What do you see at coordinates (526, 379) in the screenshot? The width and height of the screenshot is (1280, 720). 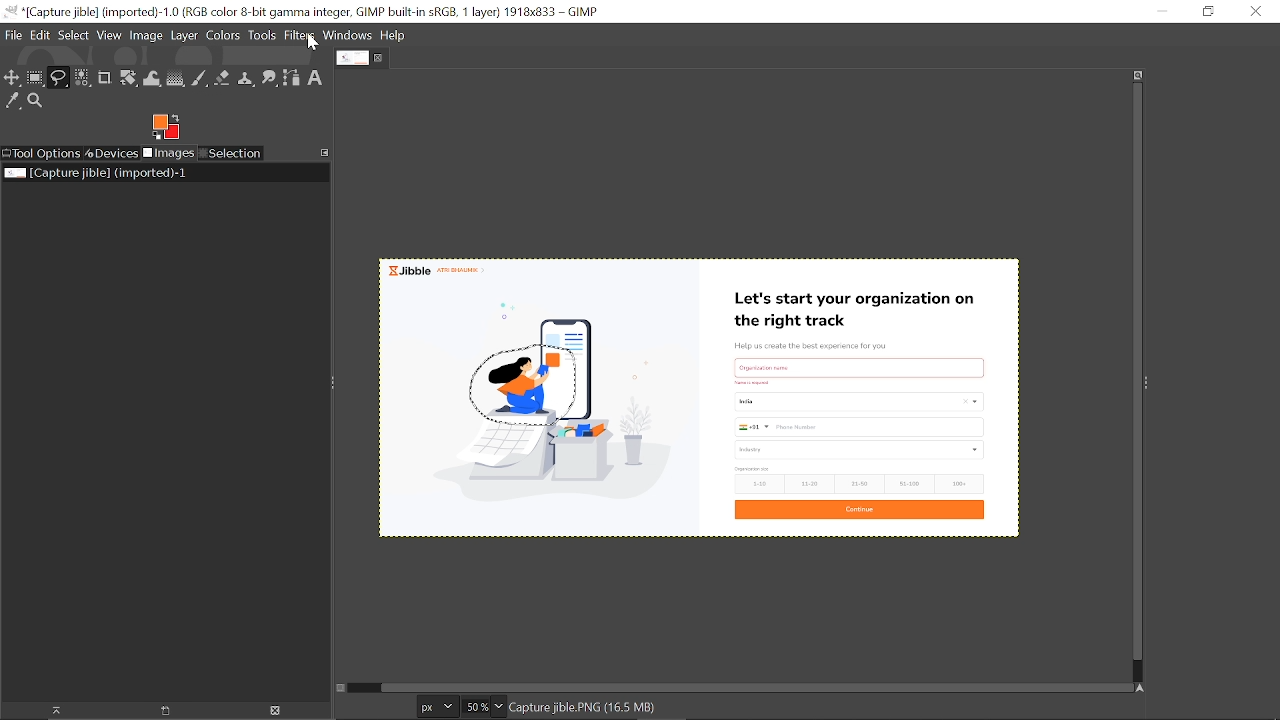 I see `selected part of the image` at bounding box center [526, 379].